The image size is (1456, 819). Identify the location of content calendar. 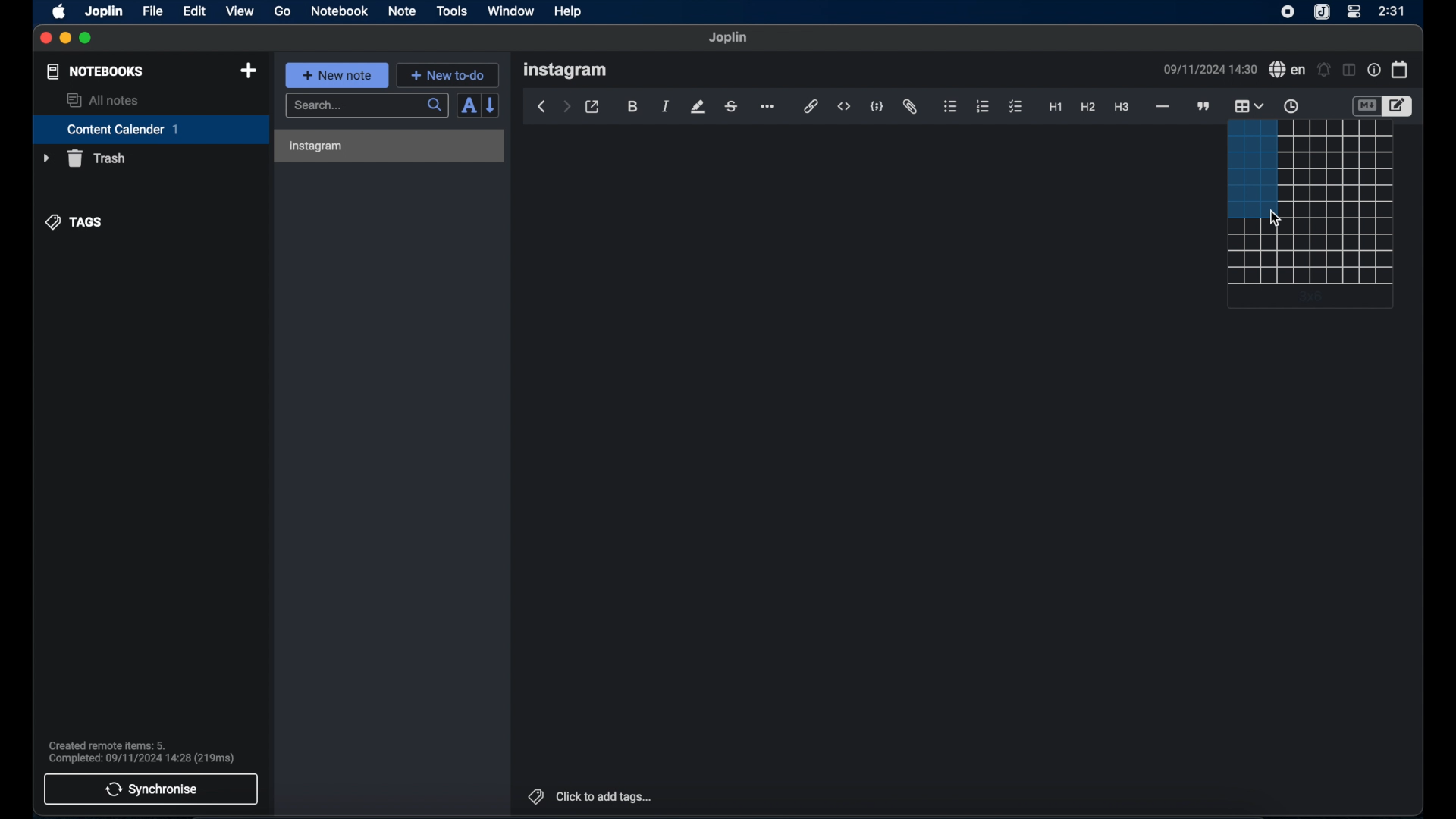
(151, 129).